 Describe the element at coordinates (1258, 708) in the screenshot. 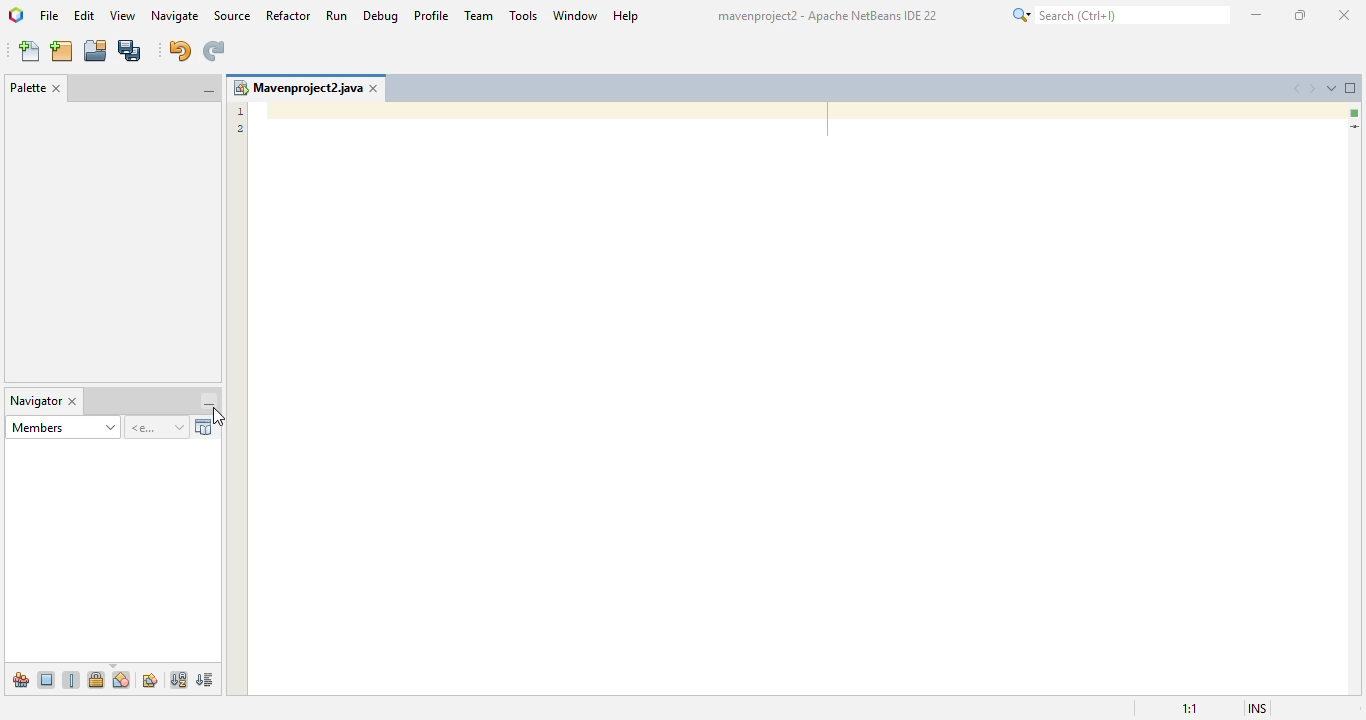

I see `insert mode` at that location.